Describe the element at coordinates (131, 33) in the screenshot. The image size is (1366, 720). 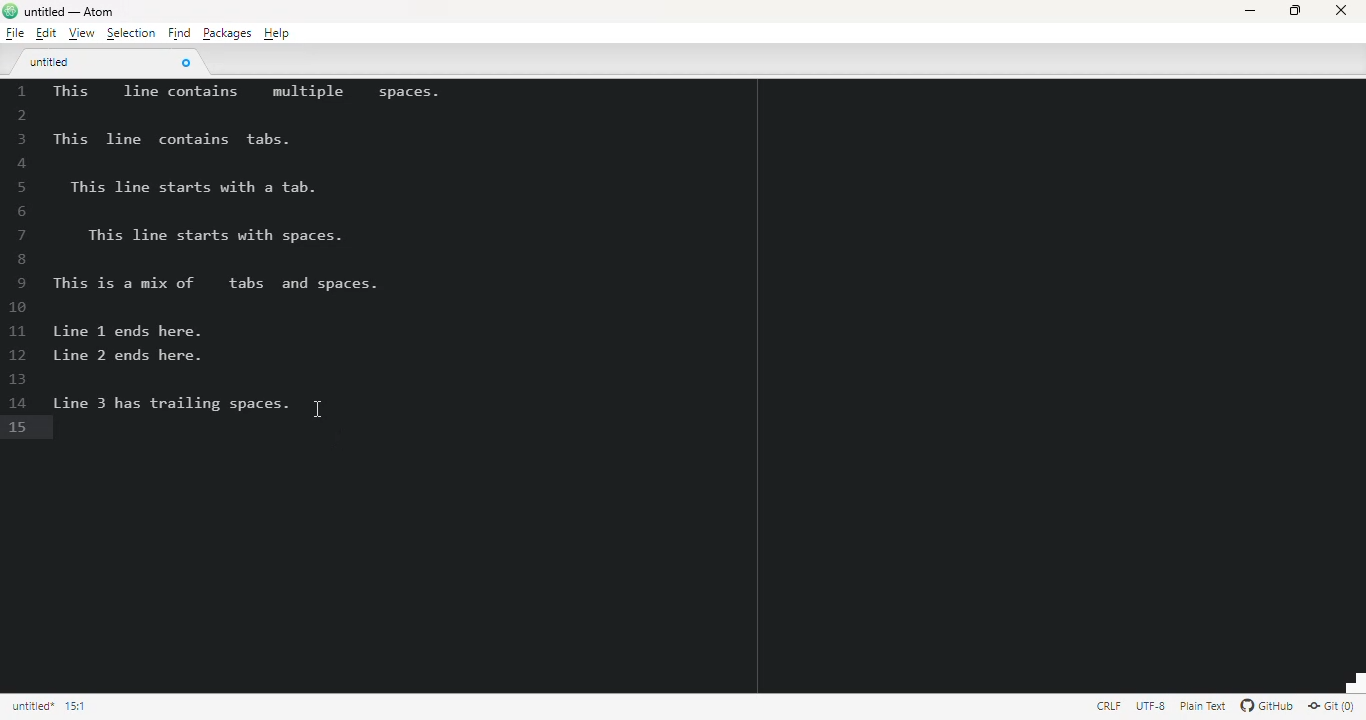
I see `selection` at that location.